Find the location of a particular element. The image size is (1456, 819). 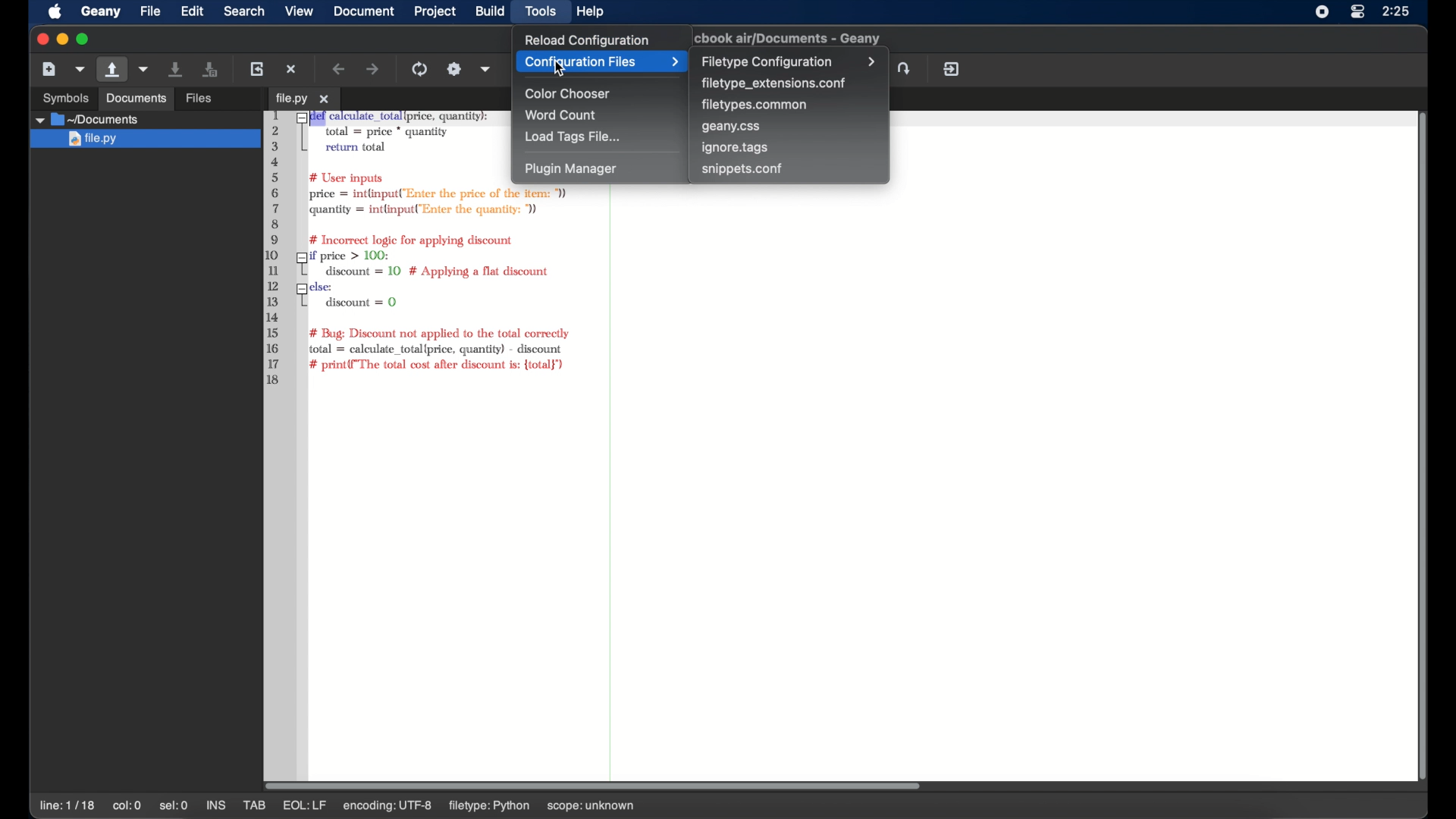

color looser dialog is located at coordinates (566, 68).